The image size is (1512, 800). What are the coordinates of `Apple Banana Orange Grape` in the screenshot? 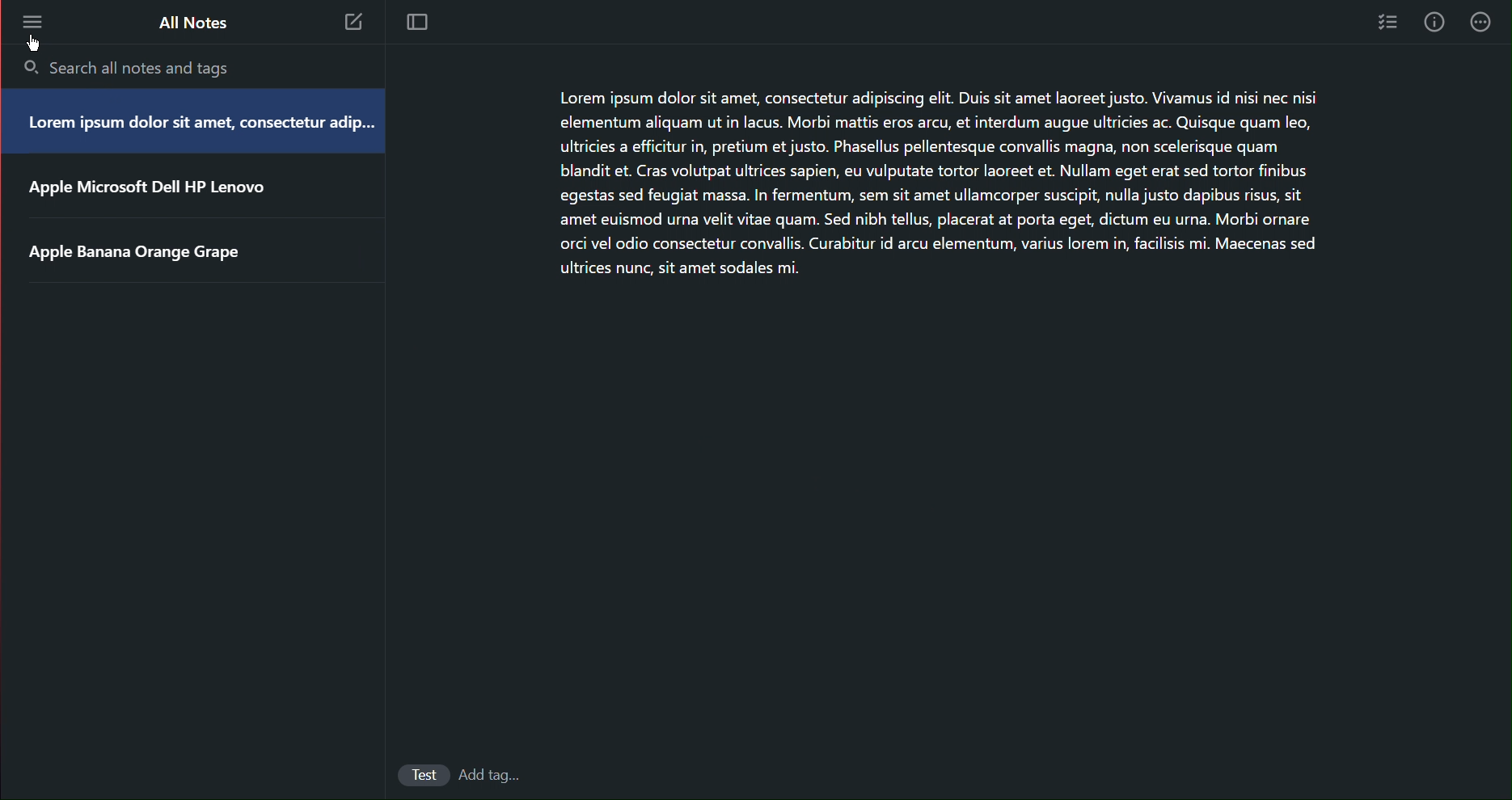 It's located at (141, 253).